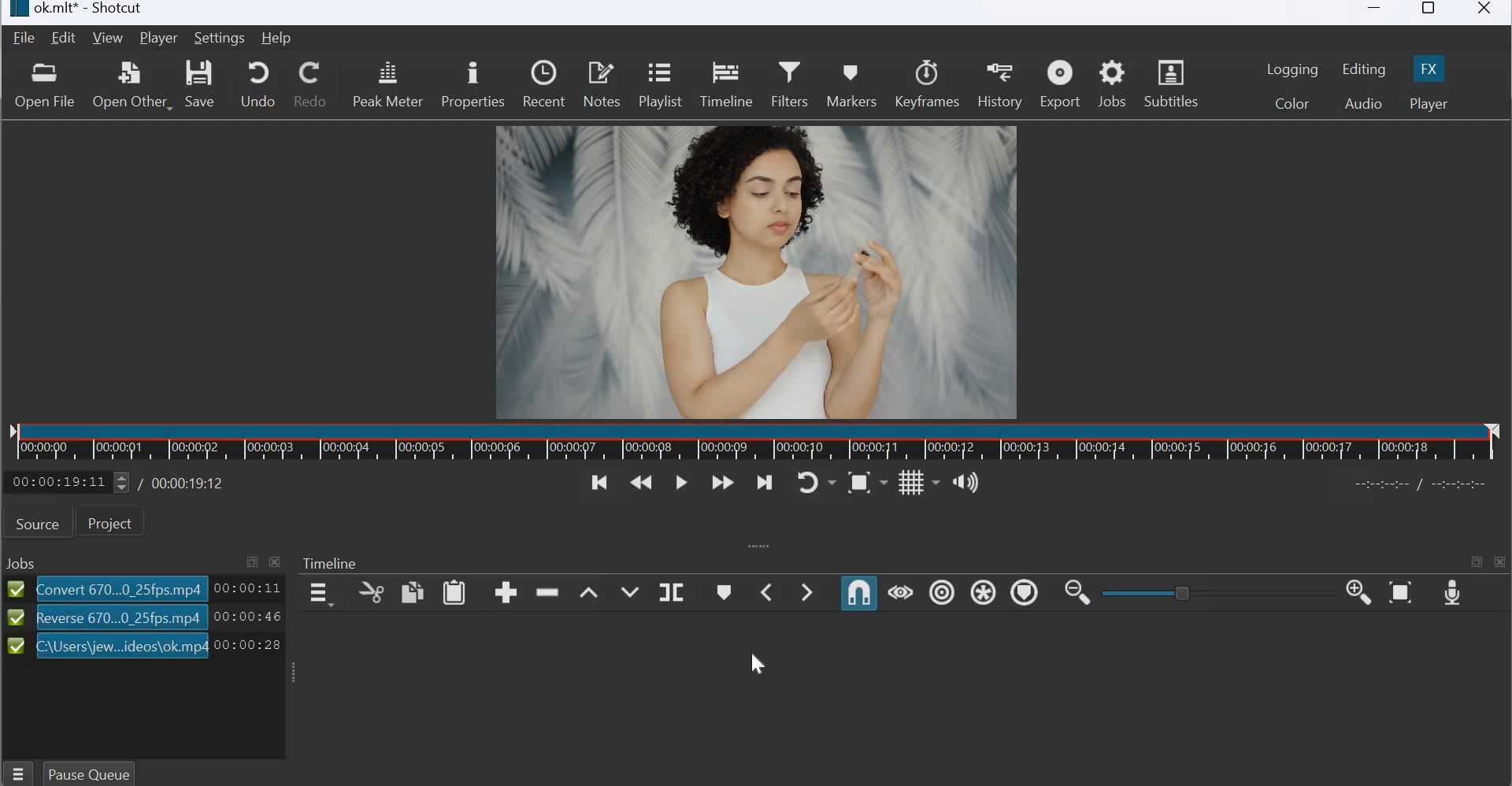 The image size is (1512, 786). I want to click on pause queue, so click(88, 772).